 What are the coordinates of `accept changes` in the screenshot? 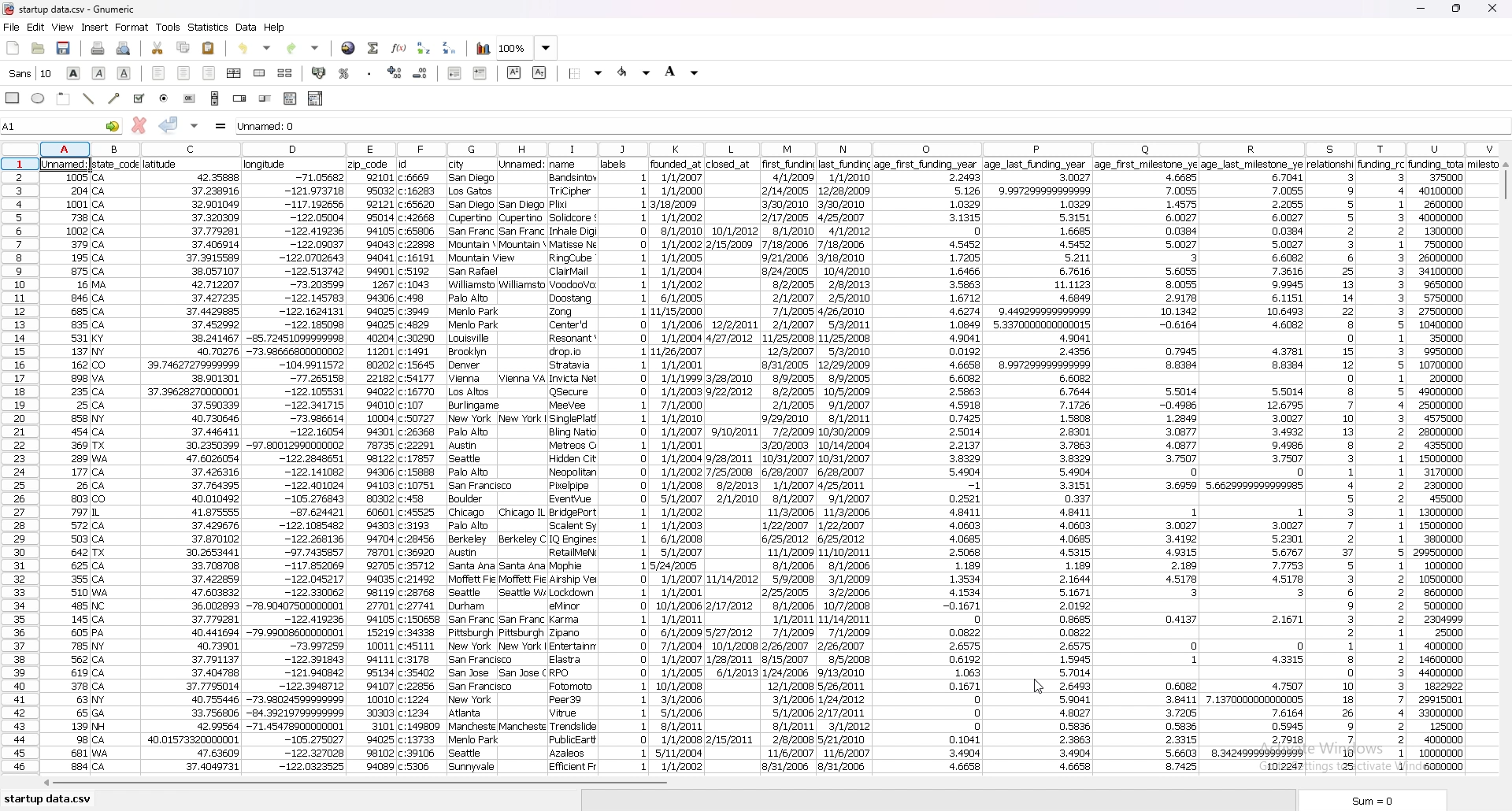 It's located at (169, 124).